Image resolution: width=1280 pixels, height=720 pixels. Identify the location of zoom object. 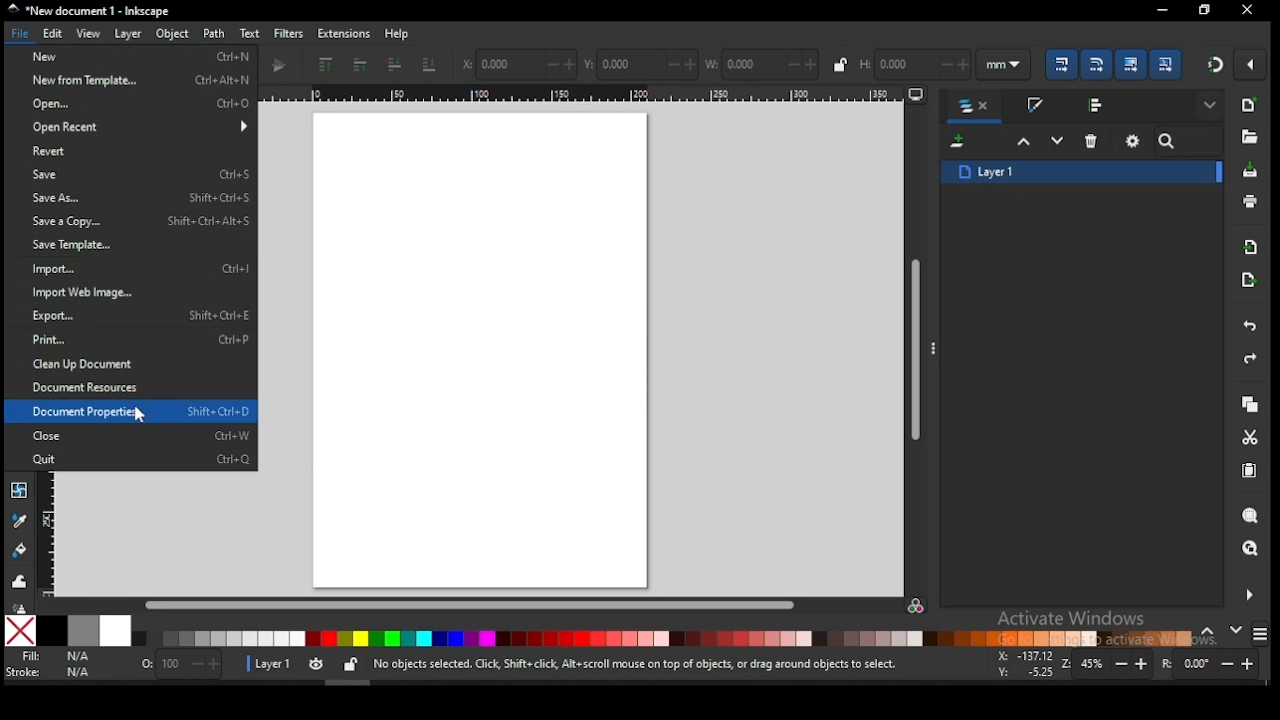
(1250, 516).